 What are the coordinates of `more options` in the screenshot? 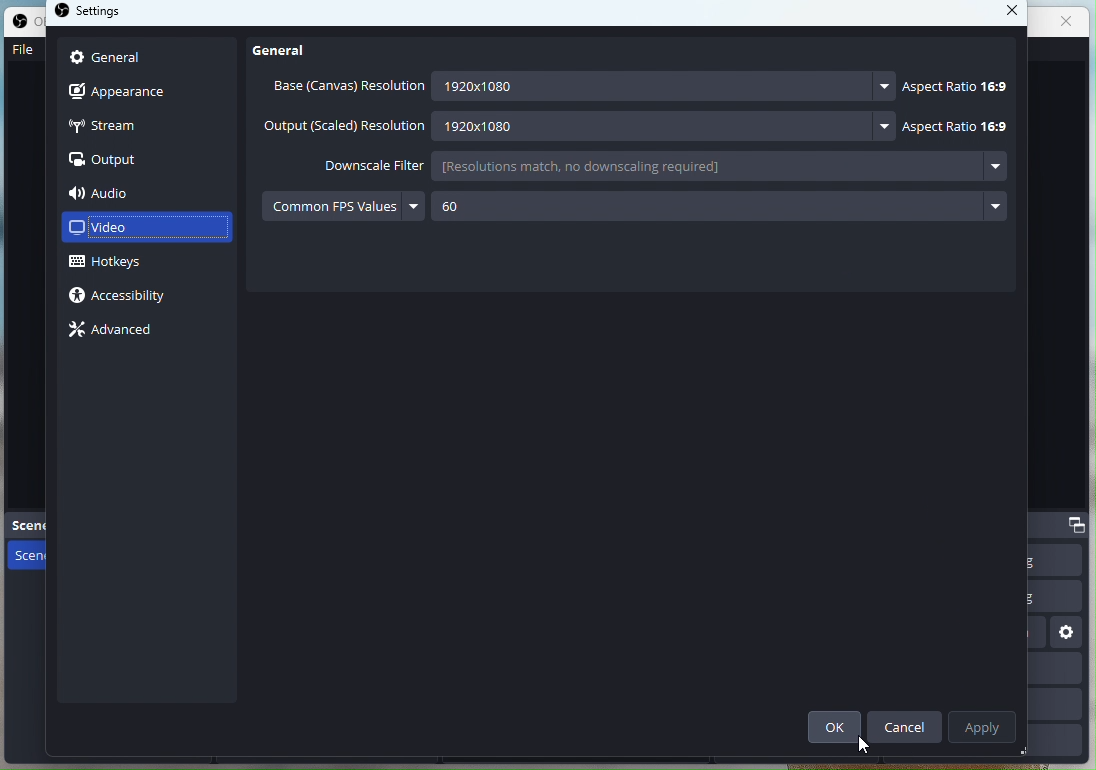 It's located at (884, 88).